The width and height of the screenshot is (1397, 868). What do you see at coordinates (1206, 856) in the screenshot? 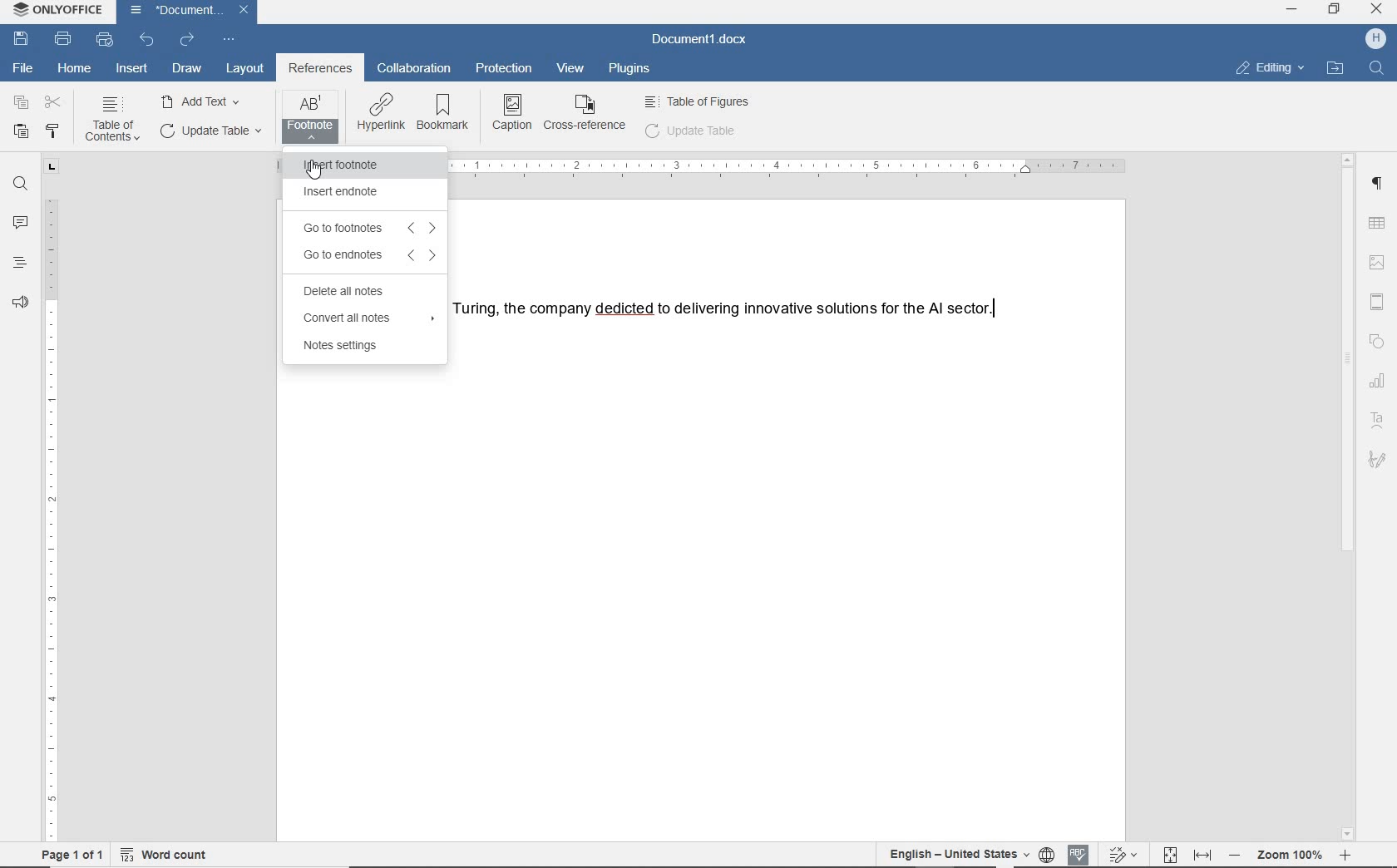
I see `fit to width` at bounding box center [1206, 856].